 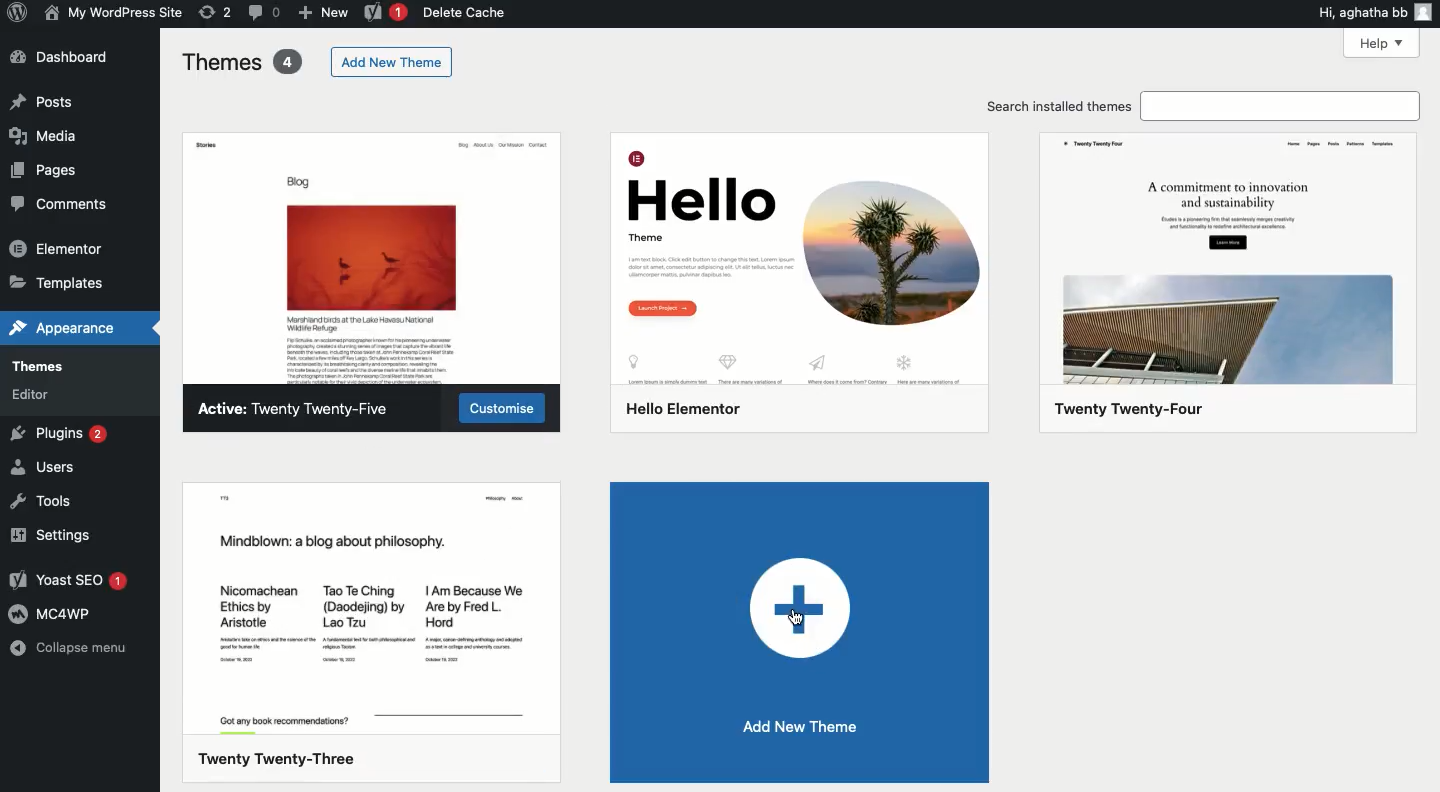 I want to click on MC4WP, so click(x=51, y=613).